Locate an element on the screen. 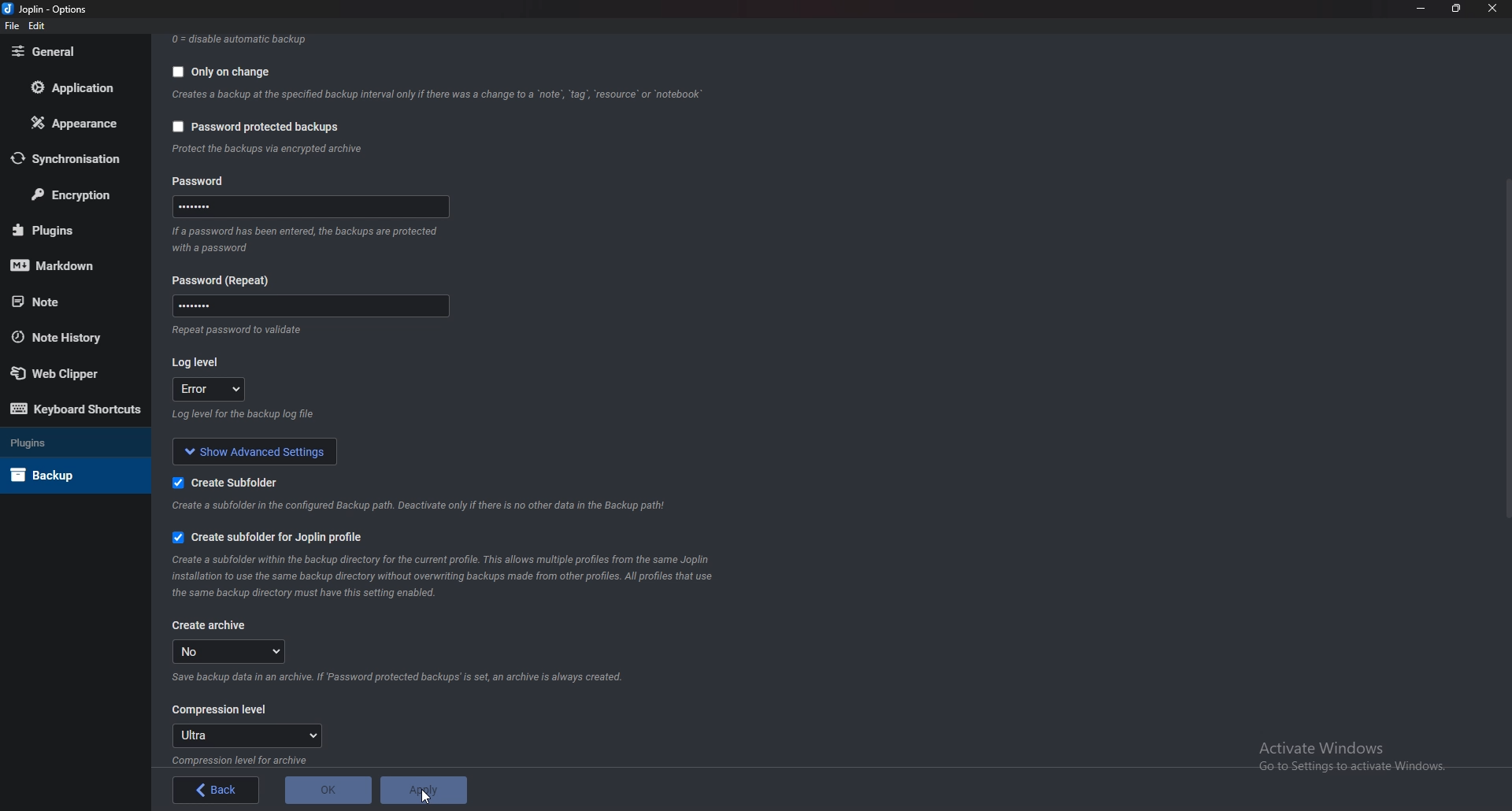  password protected backups is located at coordinates (257, 130).